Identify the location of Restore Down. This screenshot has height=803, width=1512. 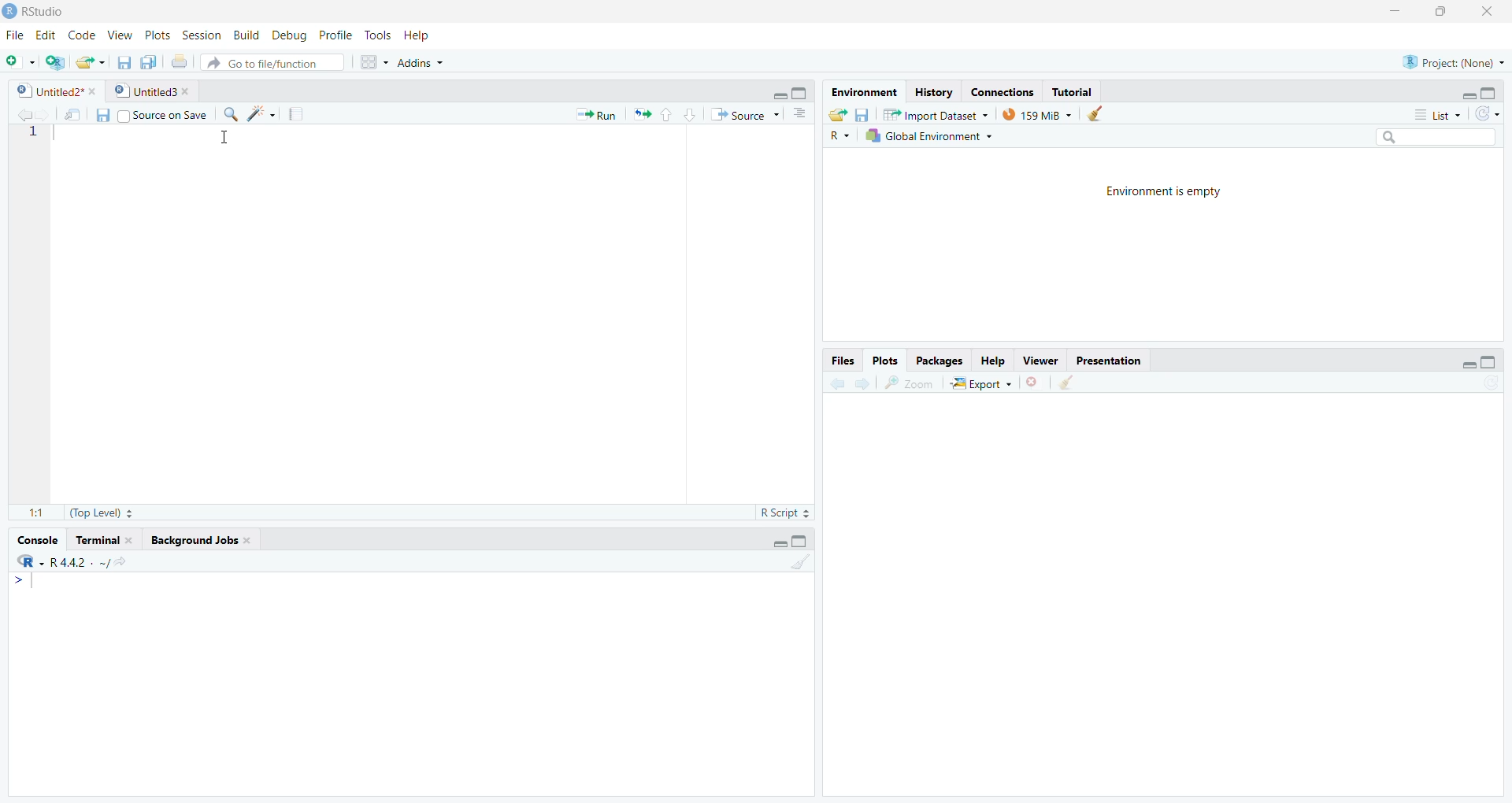
(1448, 12).